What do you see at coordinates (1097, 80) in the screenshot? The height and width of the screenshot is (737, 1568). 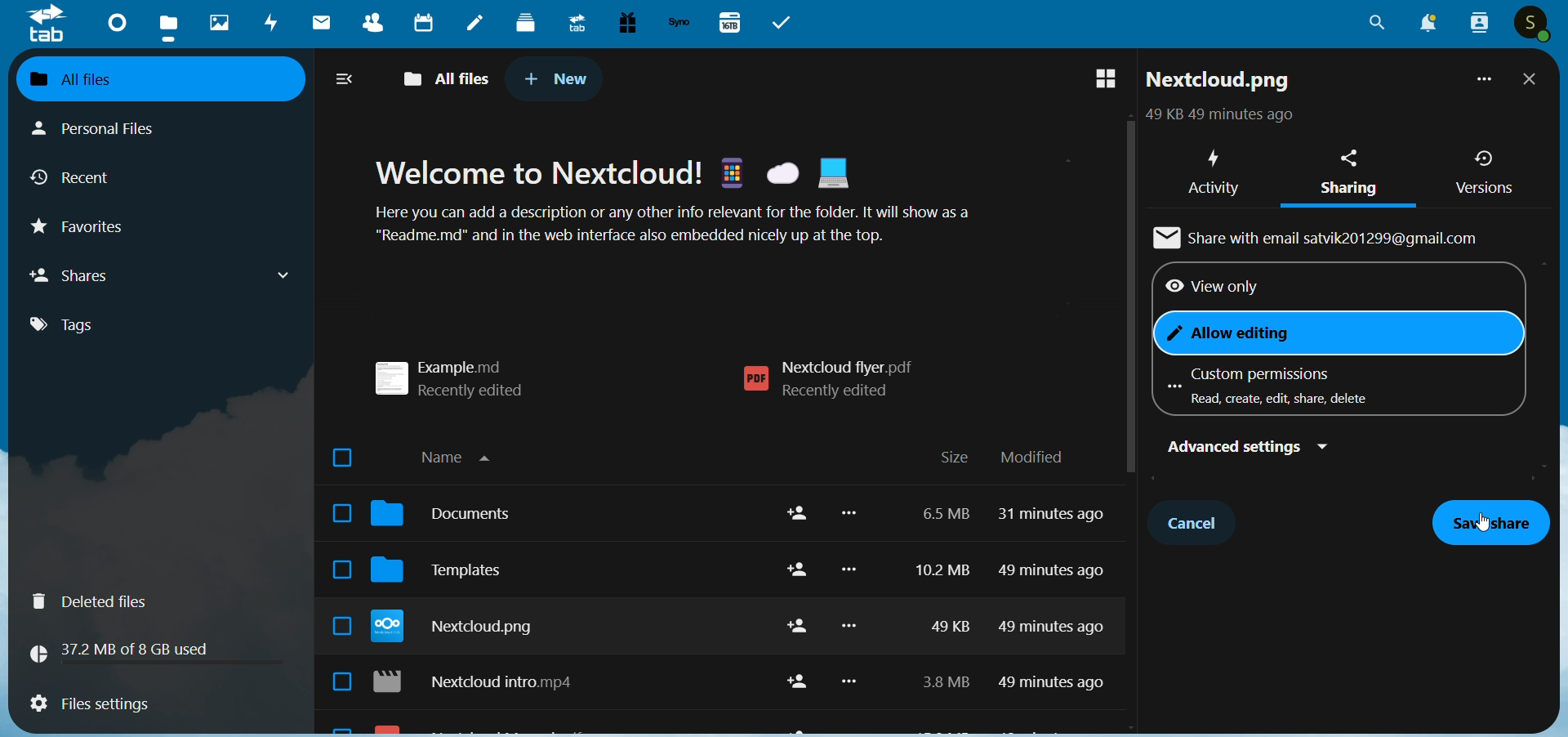 I see `view` at bounding box center [1097, 80].